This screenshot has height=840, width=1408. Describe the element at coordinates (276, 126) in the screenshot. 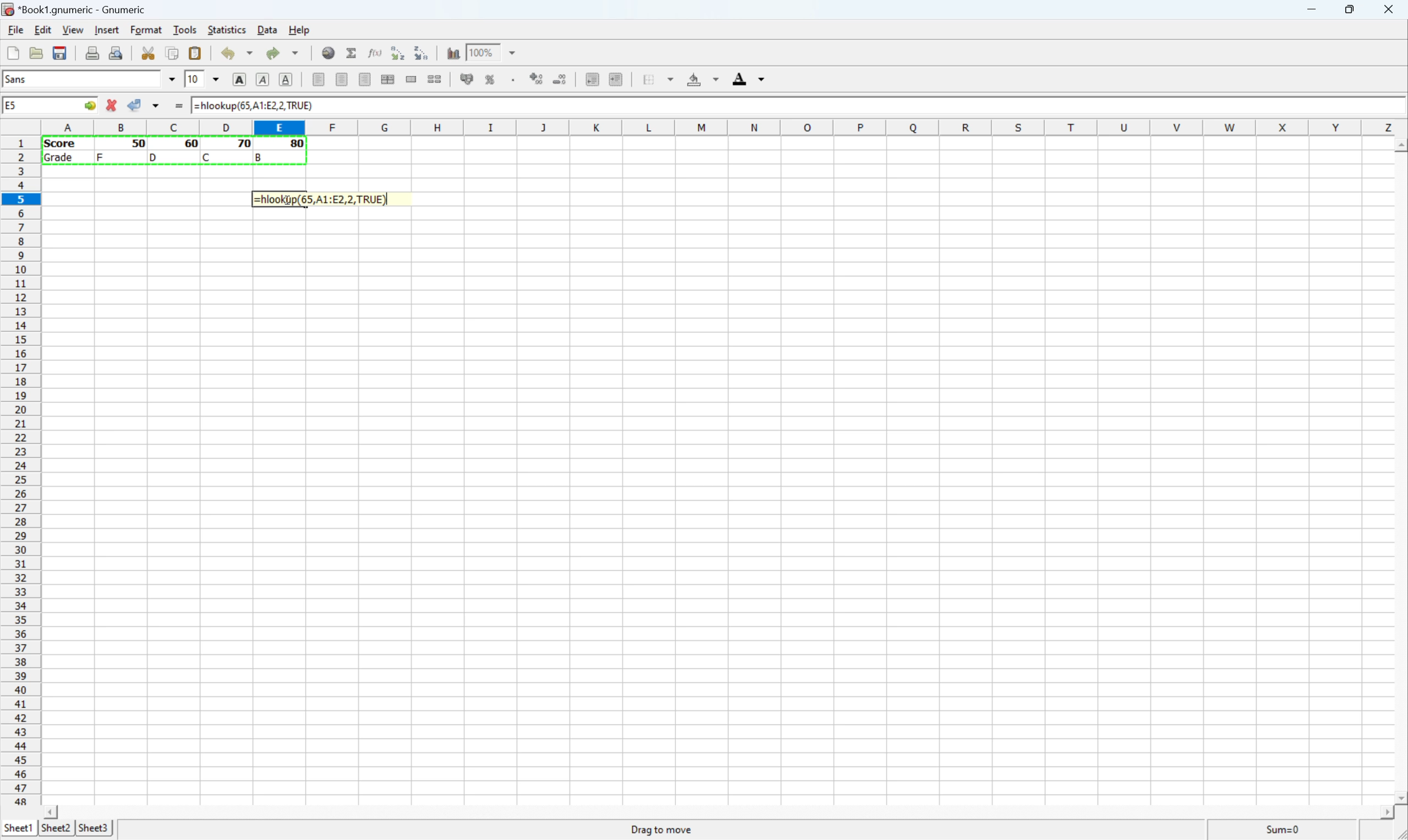

I see `selected E Column` at that location.